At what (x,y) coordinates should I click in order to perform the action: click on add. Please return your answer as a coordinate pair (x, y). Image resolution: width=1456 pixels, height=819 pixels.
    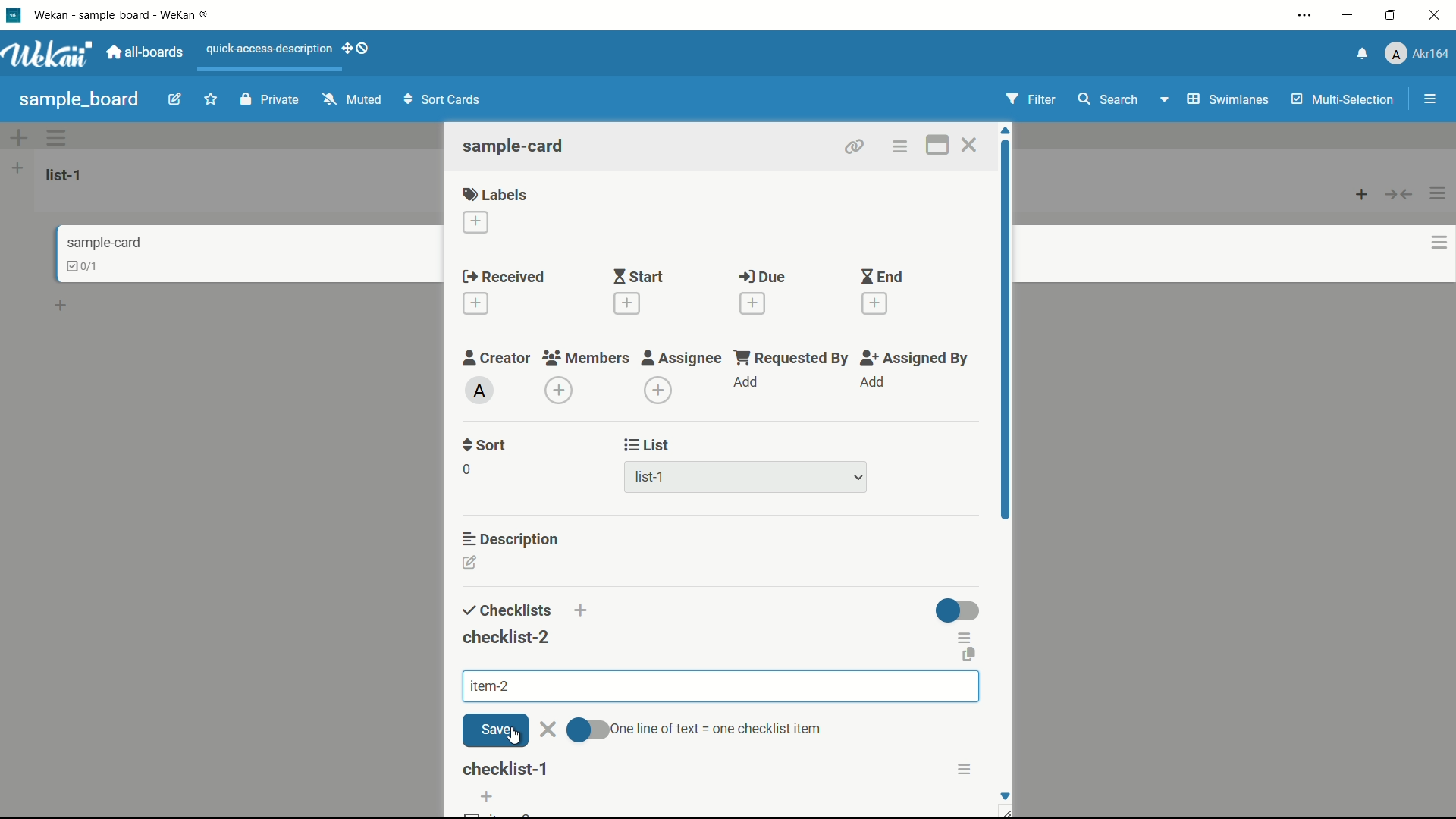
    Looking at the image, I should click on (486, 797).